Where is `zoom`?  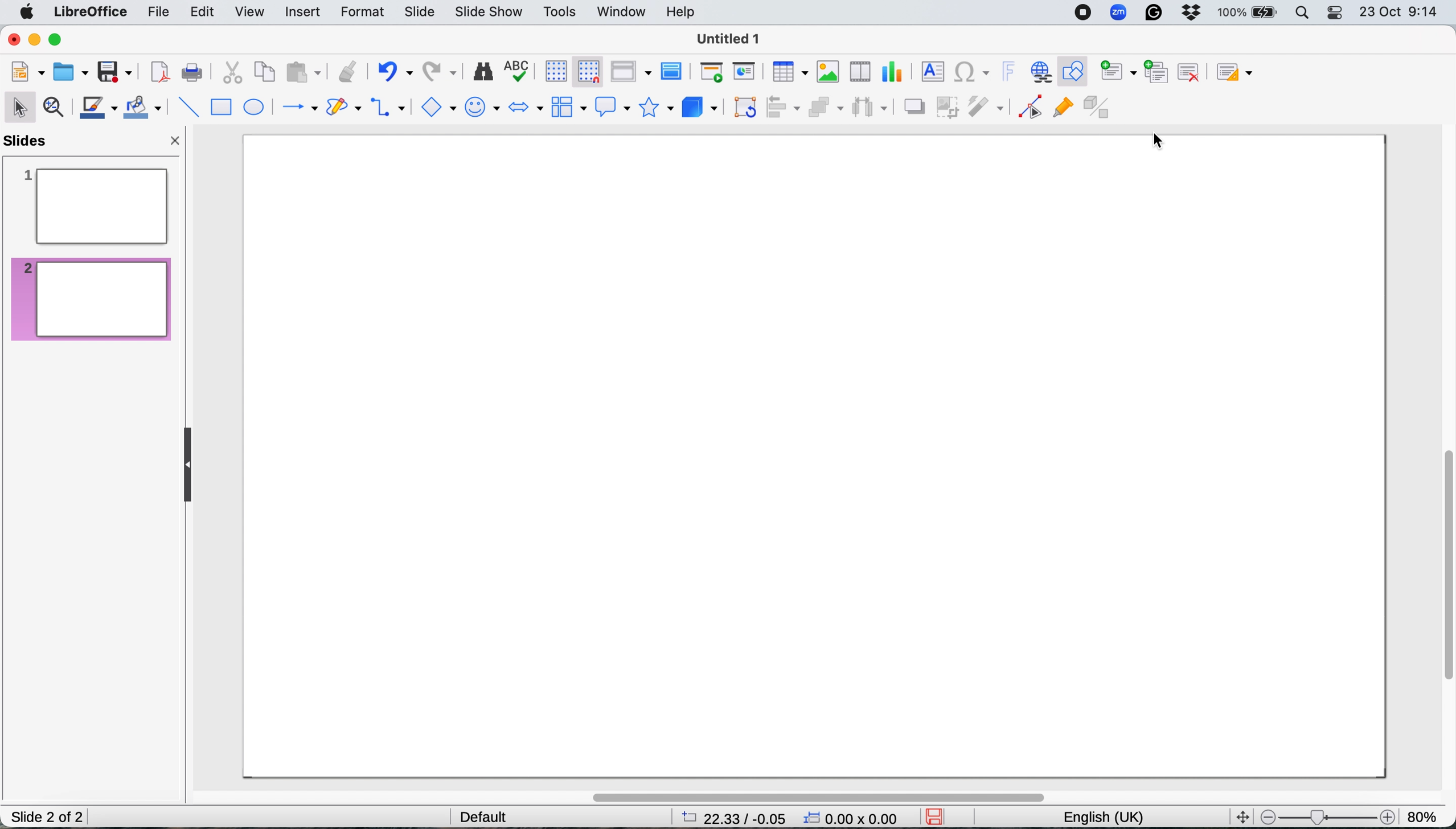 zoom is located at coordinates (1121, 14).